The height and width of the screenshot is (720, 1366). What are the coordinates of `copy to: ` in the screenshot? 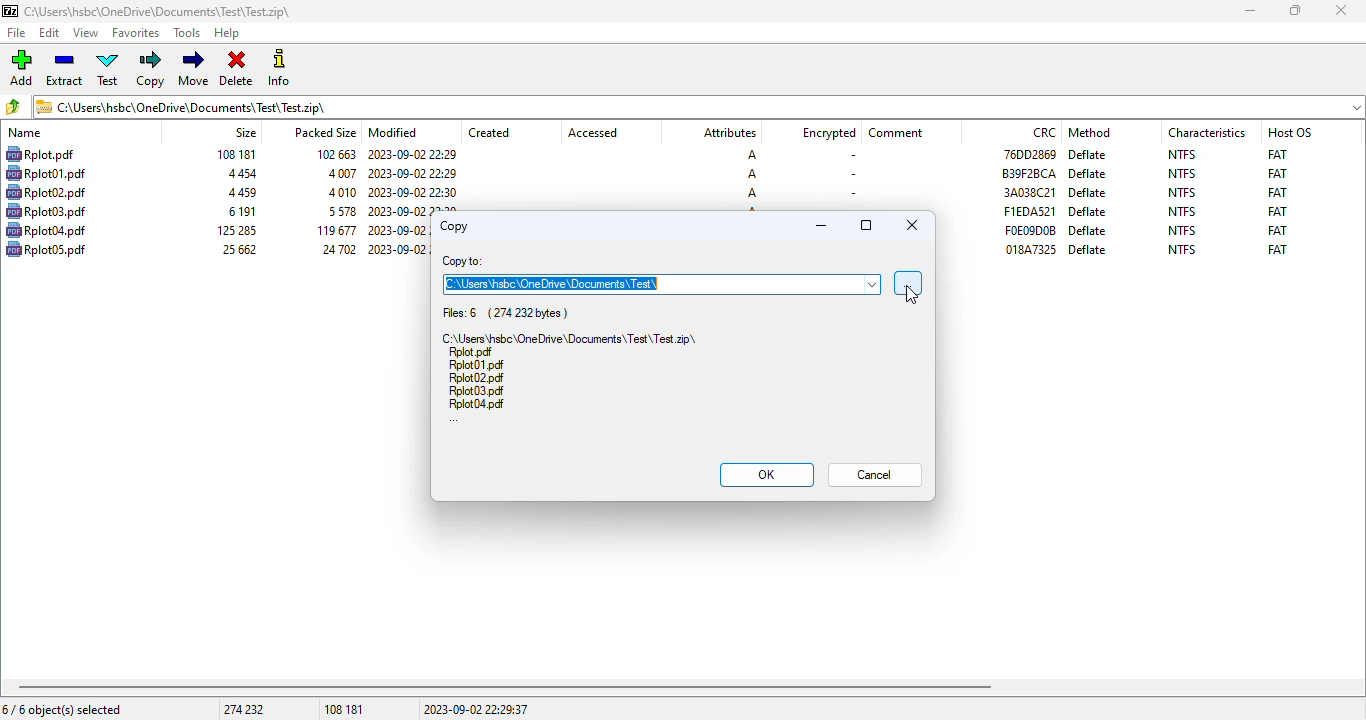 It's located at (462, 262).